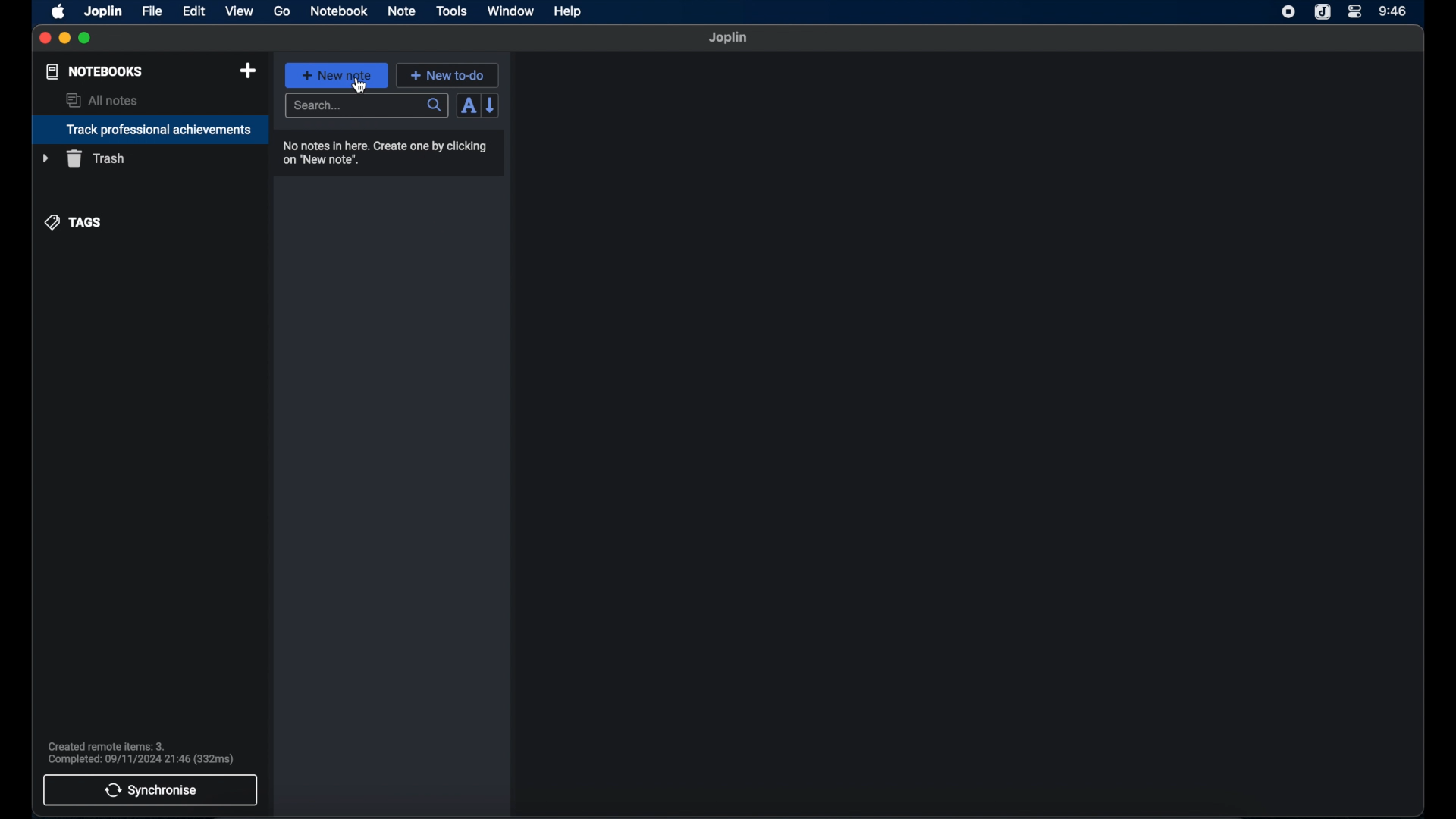 This screenshot has height=819, width=1456. I want to click on trash, so click(83, 158).